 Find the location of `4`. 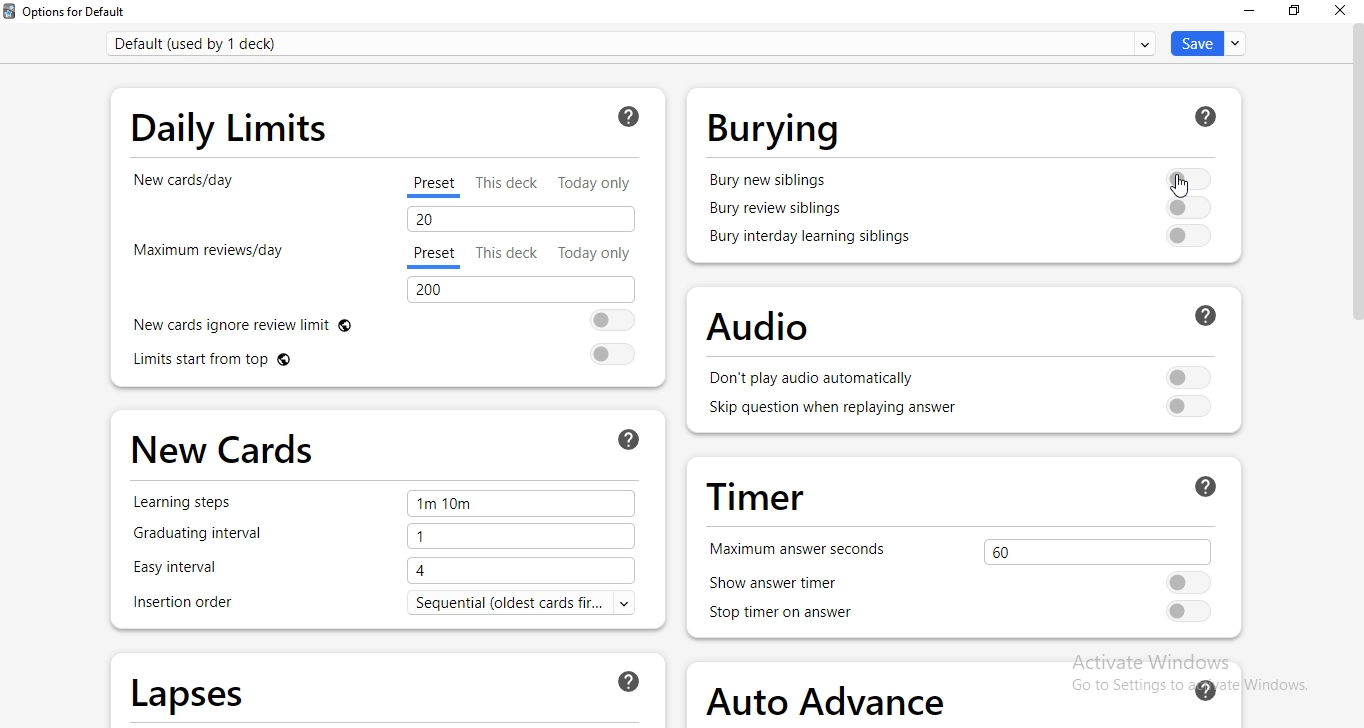

4 is located at coordinates (525, 569).